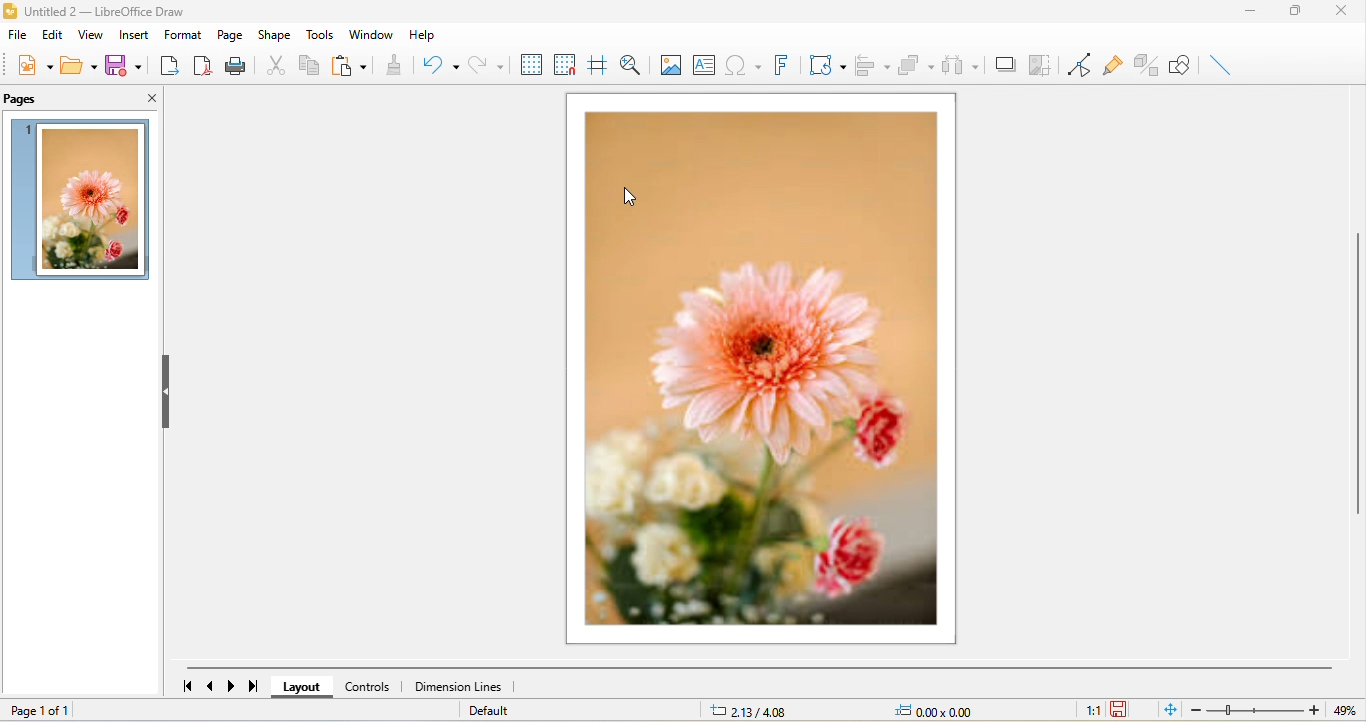 Image resolution: width=1366 pixels, height=722 pixels. What do you see at coordinates (272, 64) in the screenshot?
I see `cut` at bounding box center [272, 64].